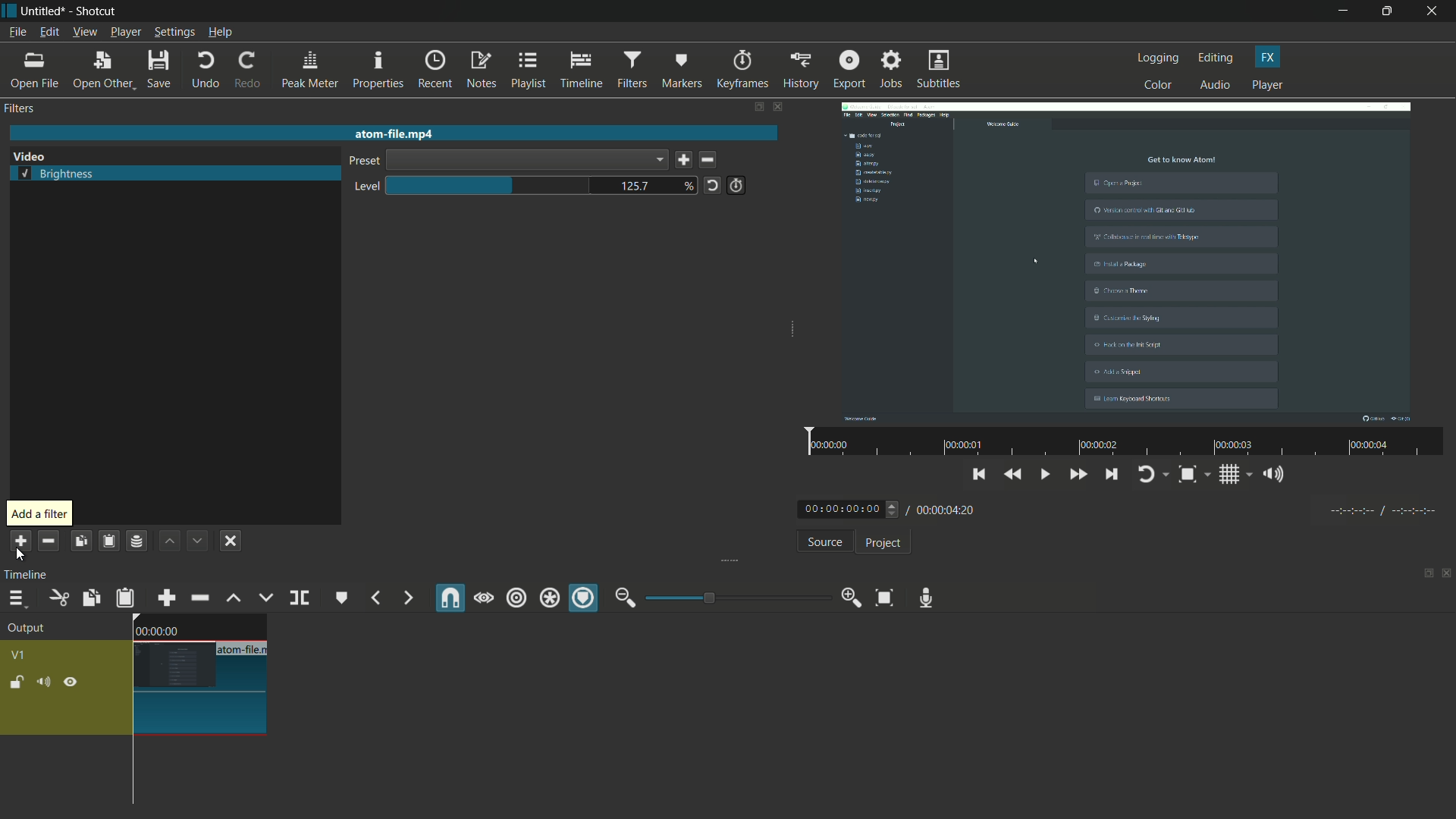 Image resolution: width=1456 pixels, height=819 pixels. Describe the element at coordinates (161, 71) in the screenshot. I see `save` at that location.